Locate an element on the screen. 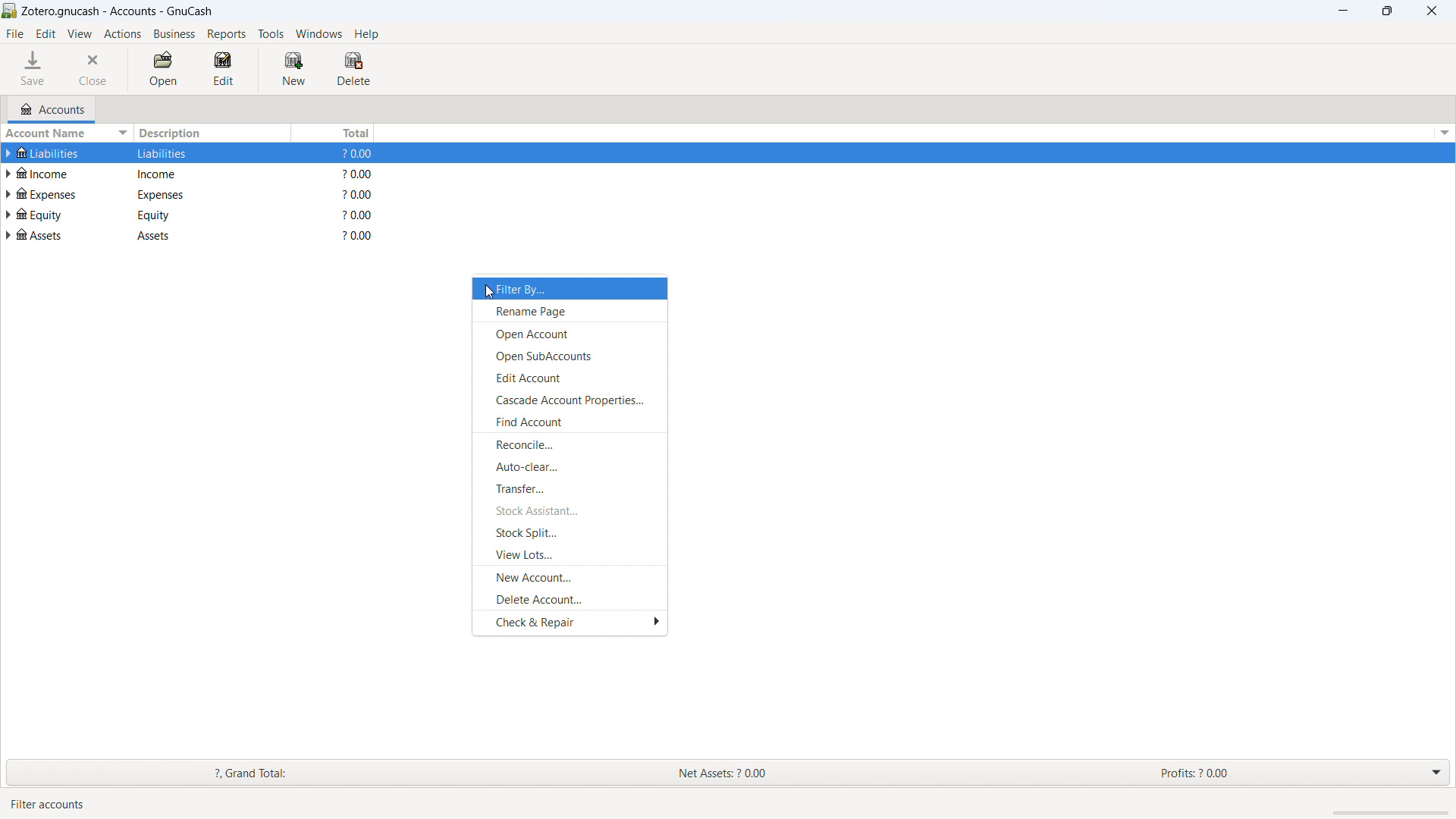  find account is located at coordinates (570, 422).